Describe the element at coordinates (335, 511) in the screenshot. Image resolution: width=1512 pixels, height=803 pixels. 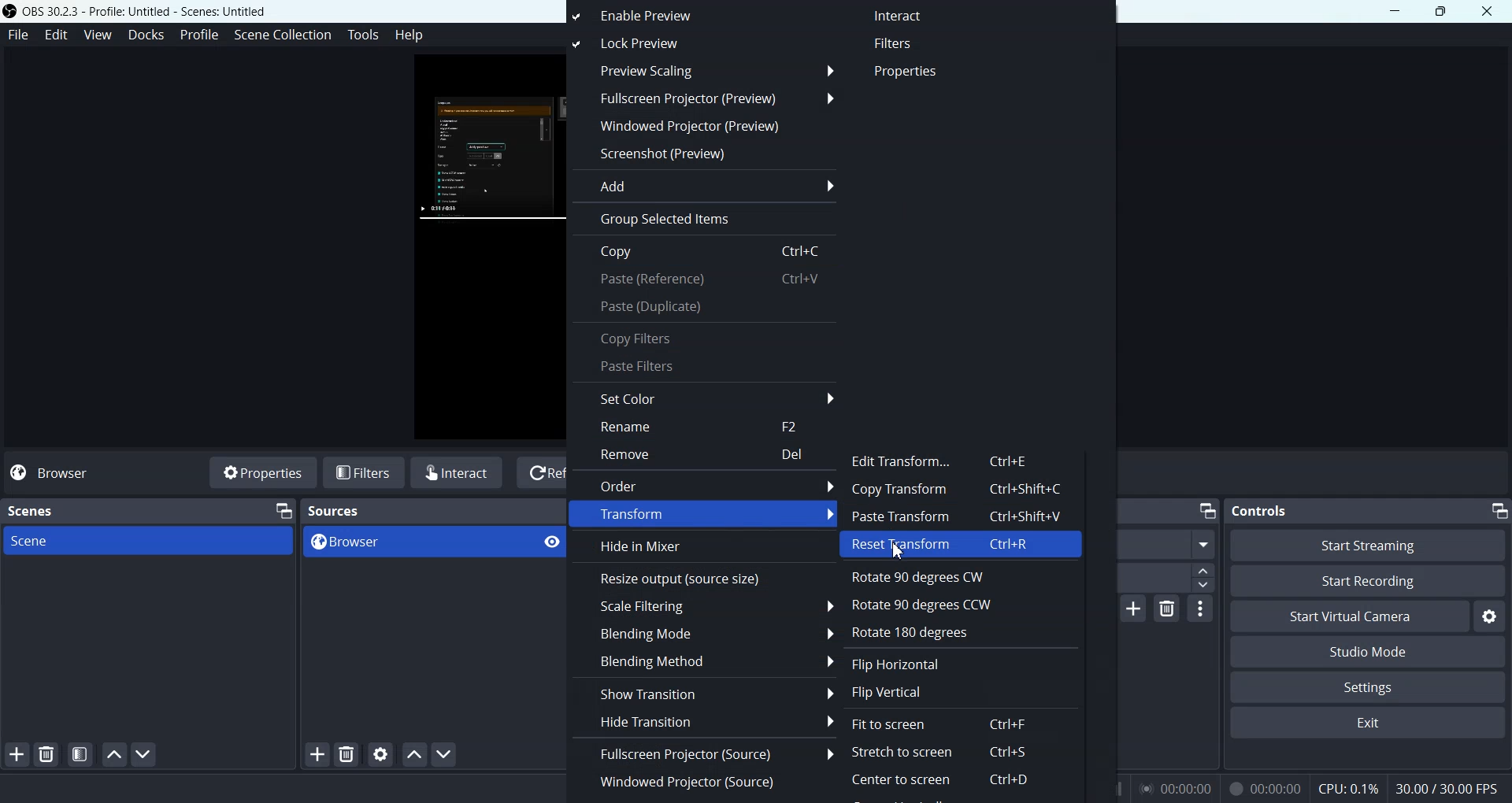
I see `Sources` at that location.